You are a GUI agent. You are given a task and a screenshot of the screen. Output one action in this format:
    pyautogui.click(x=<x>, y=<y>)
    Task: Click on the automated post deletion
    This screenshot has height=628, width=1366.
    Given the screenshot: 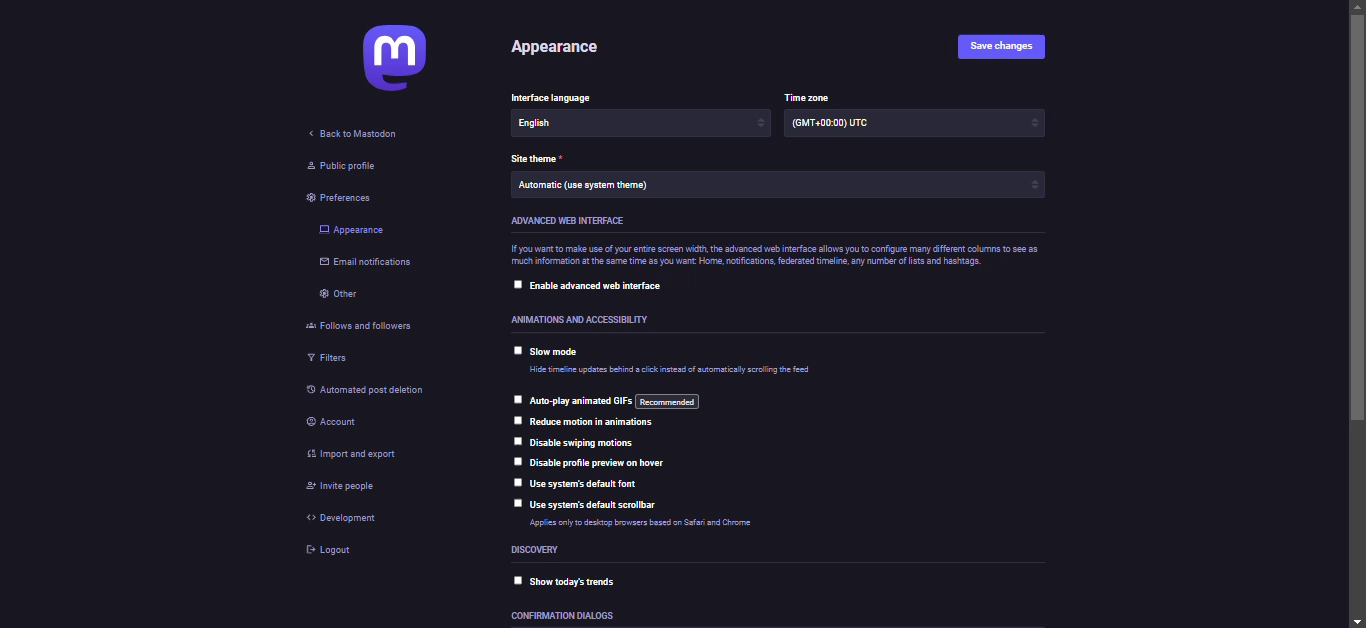 What is the action you would take?
    pyautogui.click(x=385, y=392)
    